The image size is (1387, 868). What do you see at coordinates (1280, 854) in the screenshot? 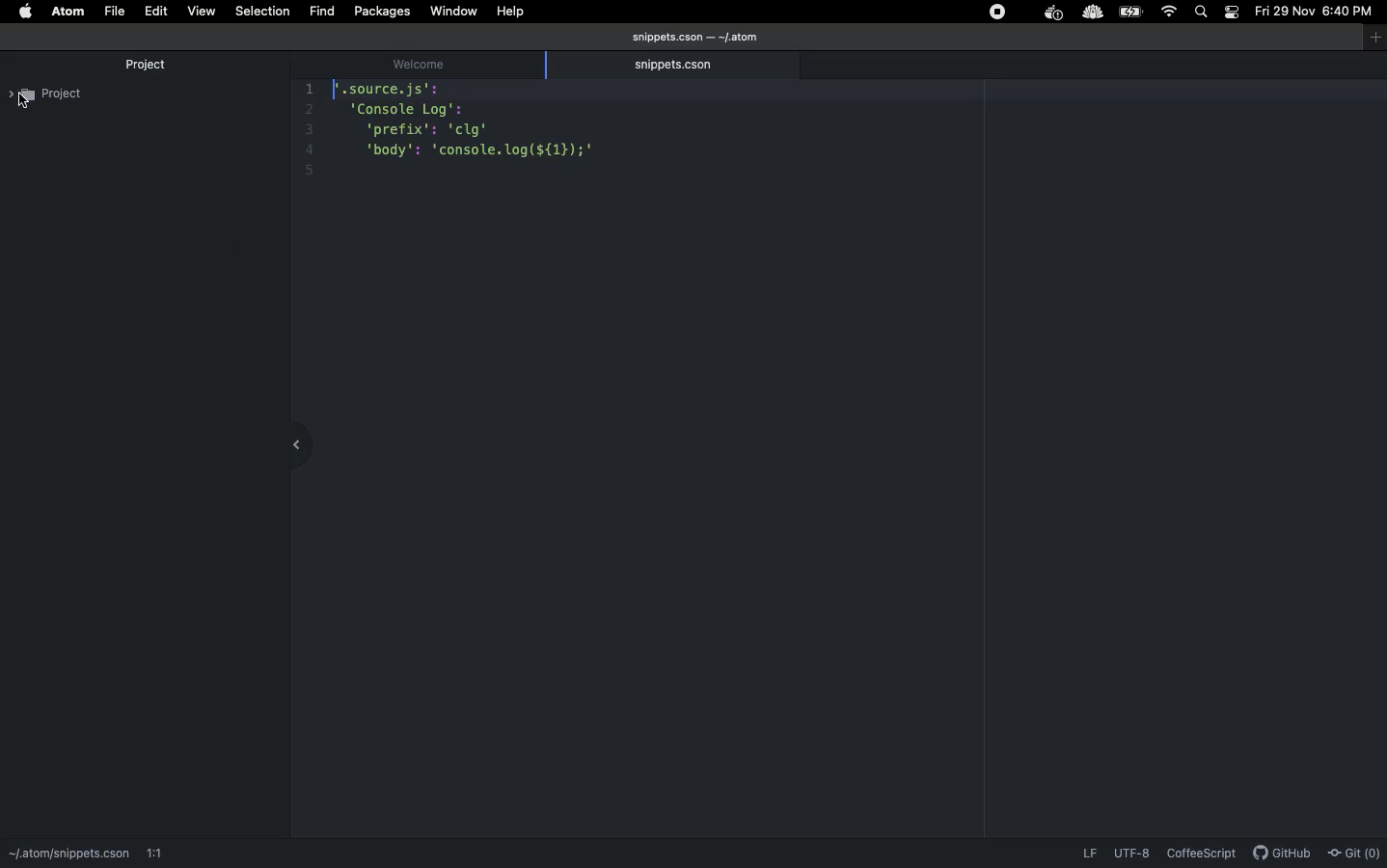
I see `GitHub` at bounding box center [1280, 854].